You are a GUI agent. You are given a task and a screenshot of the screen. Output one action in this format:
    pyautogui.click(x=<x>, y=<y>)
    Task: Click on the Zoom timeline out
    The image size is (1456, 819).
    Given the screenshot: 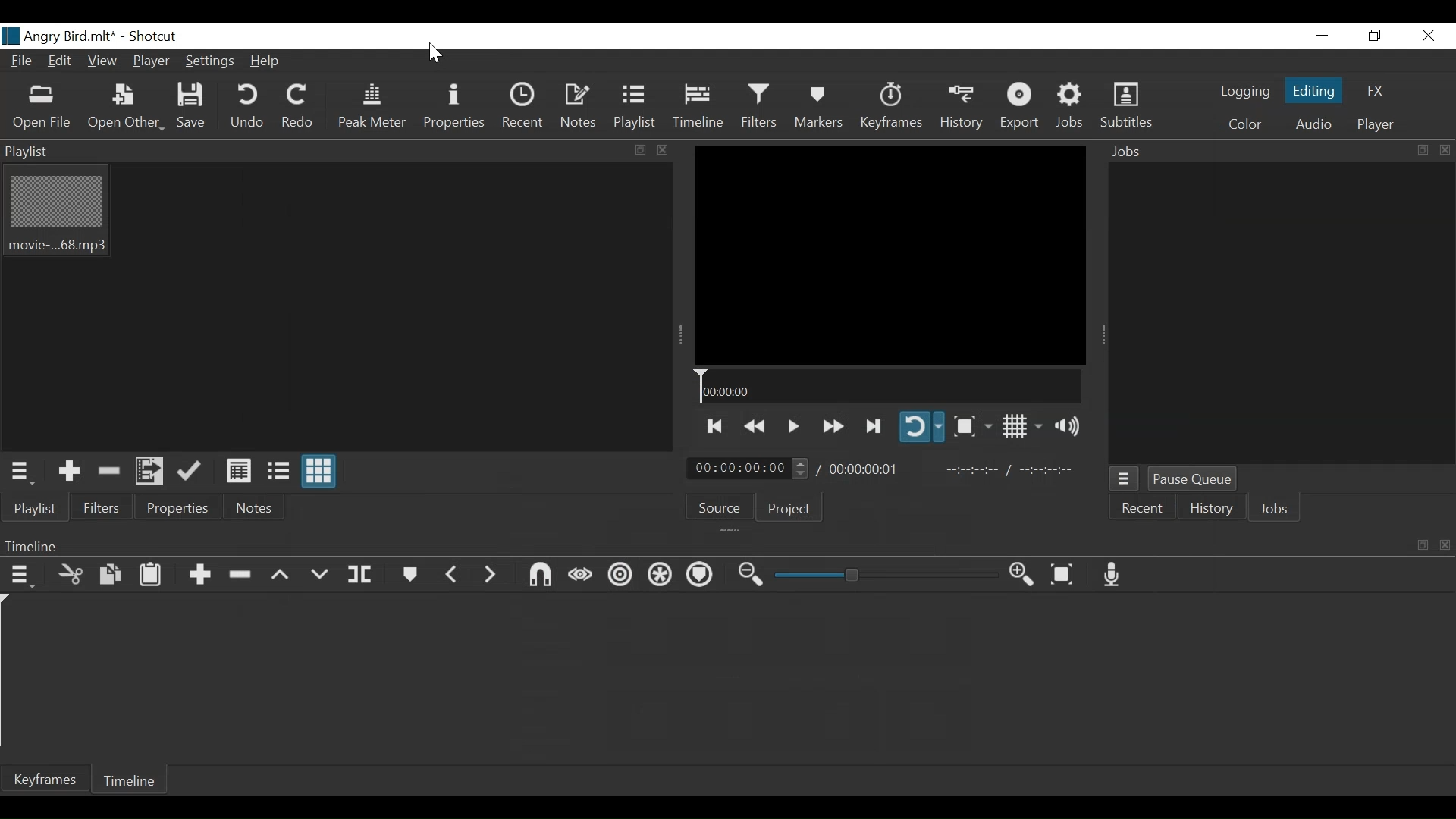 What is the action you would take?
    pyautogui.click(x=748, y=576)
    